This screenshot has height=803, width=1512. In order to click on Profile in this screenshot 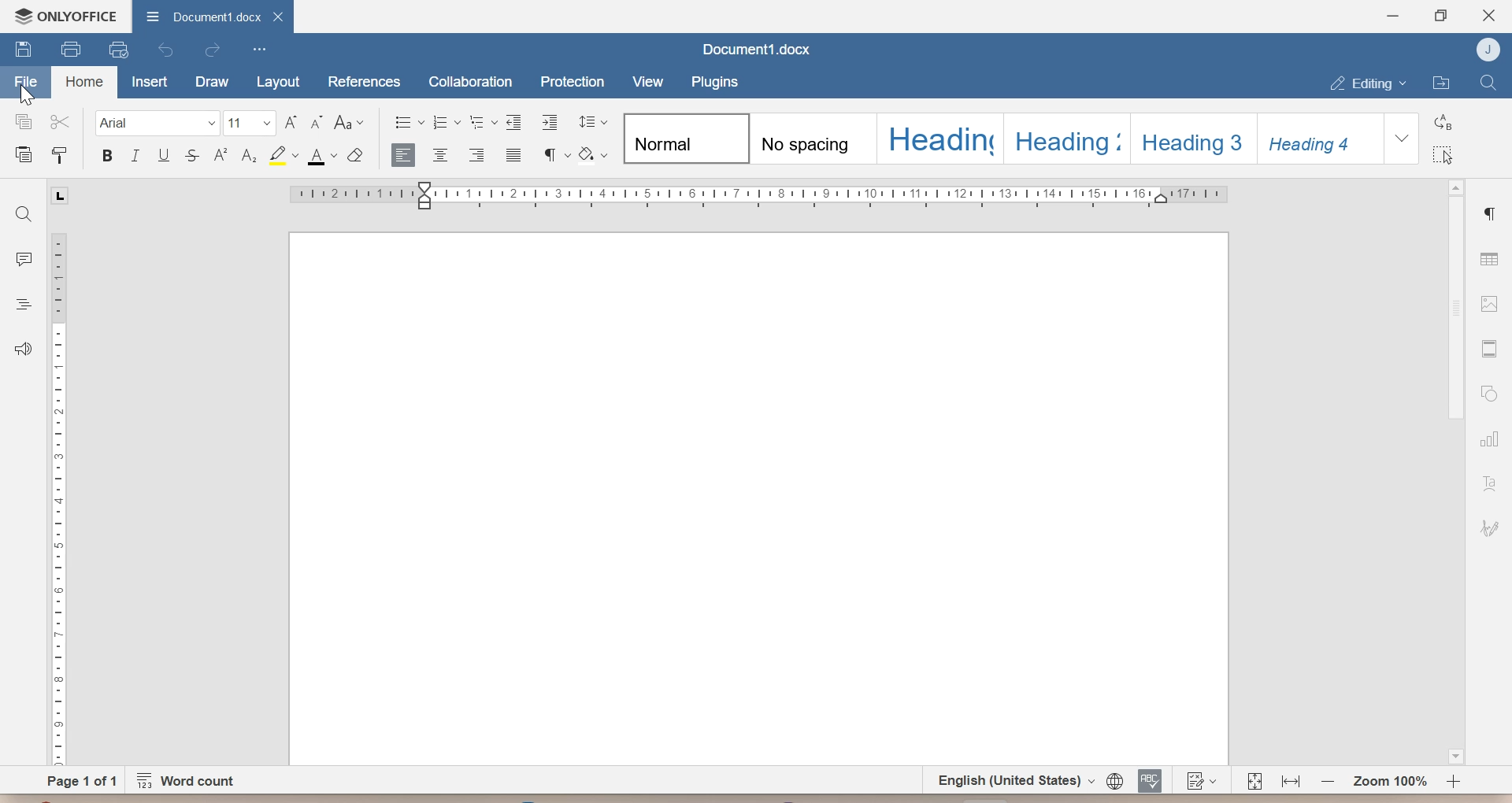, I will do `click(1485, 49)`.